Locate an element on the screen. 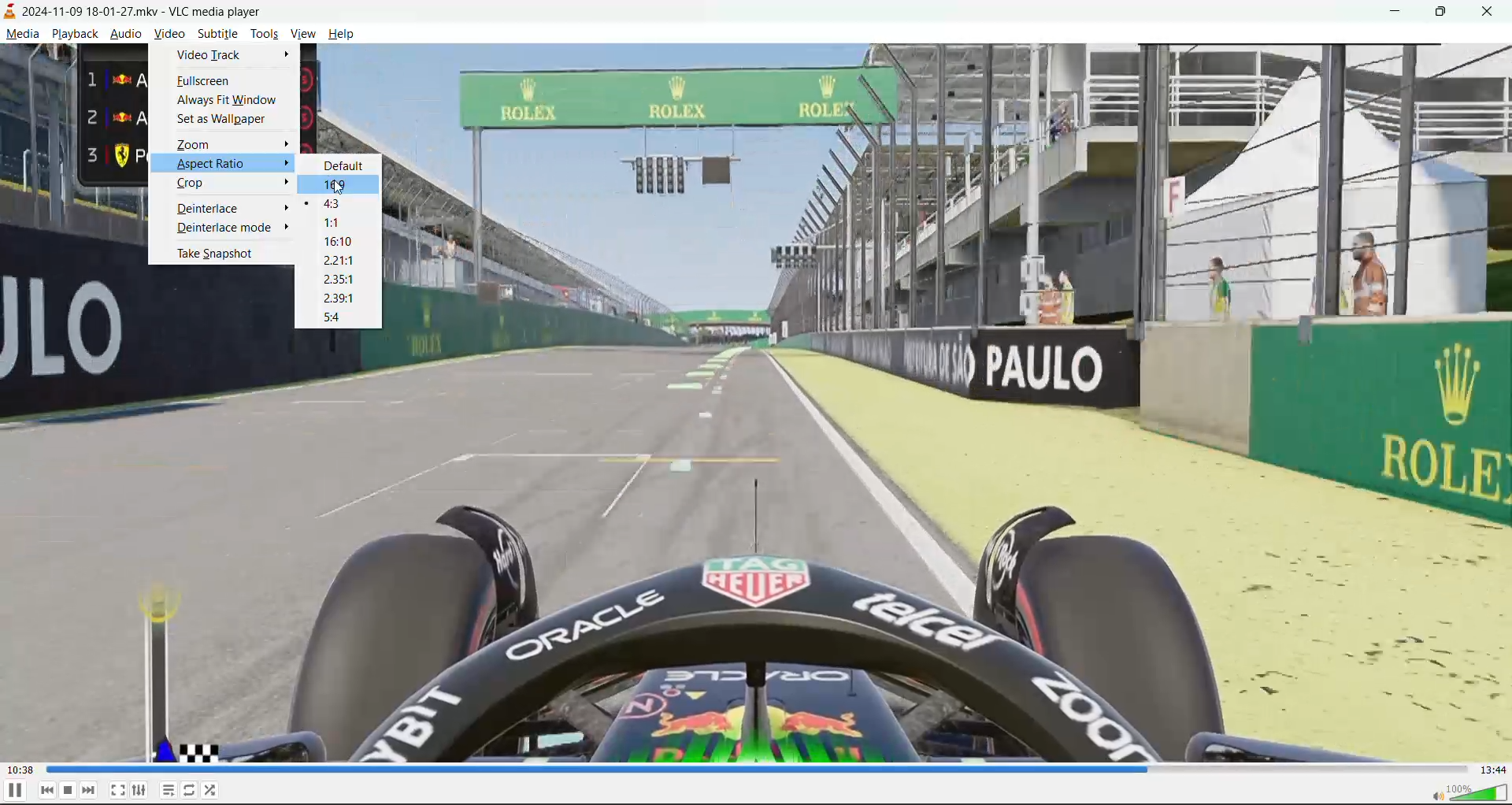 The width and height of the screenshot is (1512, 805). minimize is located at coordinates (1392, 13).